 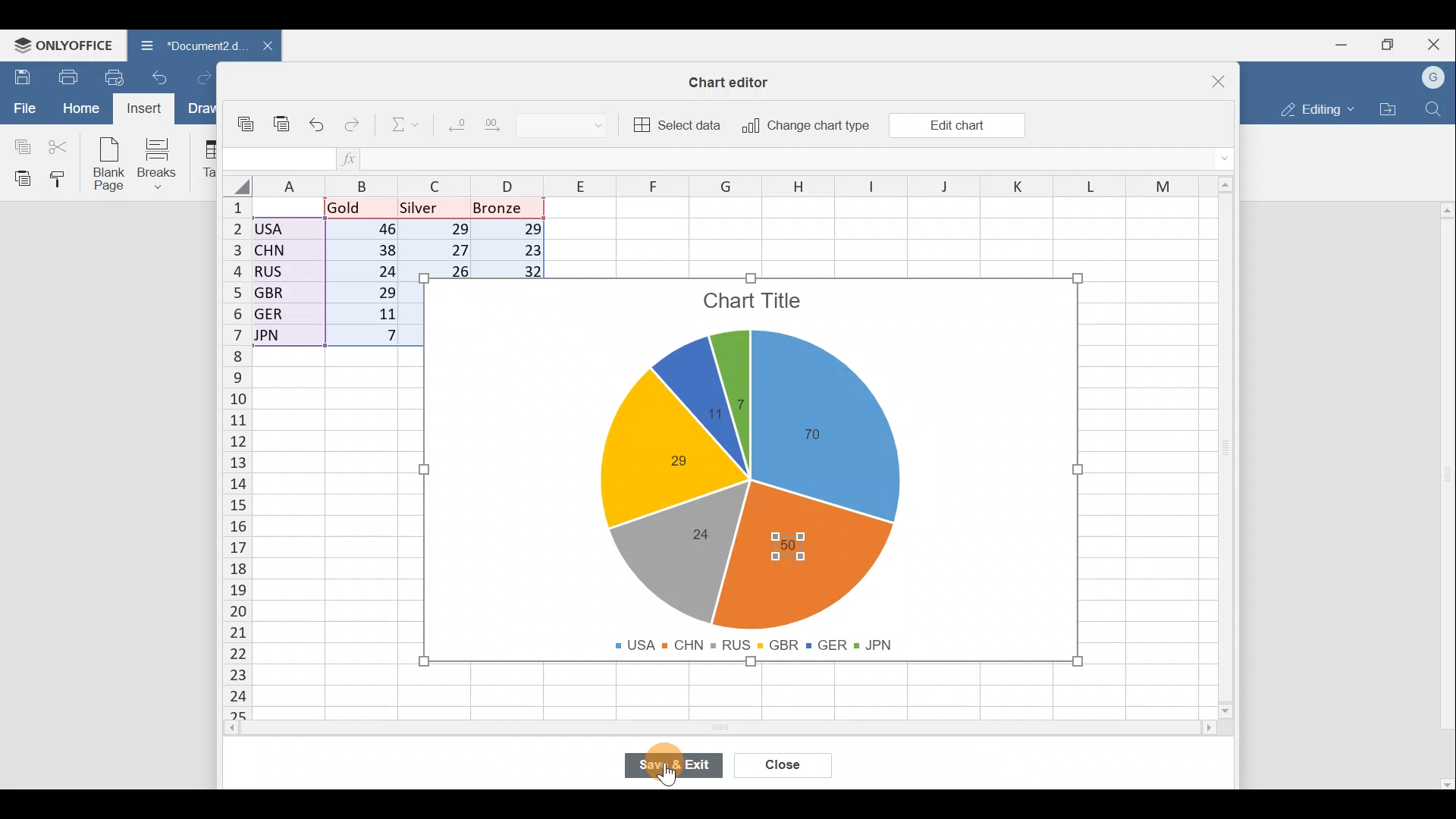 What do you see at coordinates (1442, 490) in the screenshot?
I see `Scroll bar` at bounding box center [1442, 490].